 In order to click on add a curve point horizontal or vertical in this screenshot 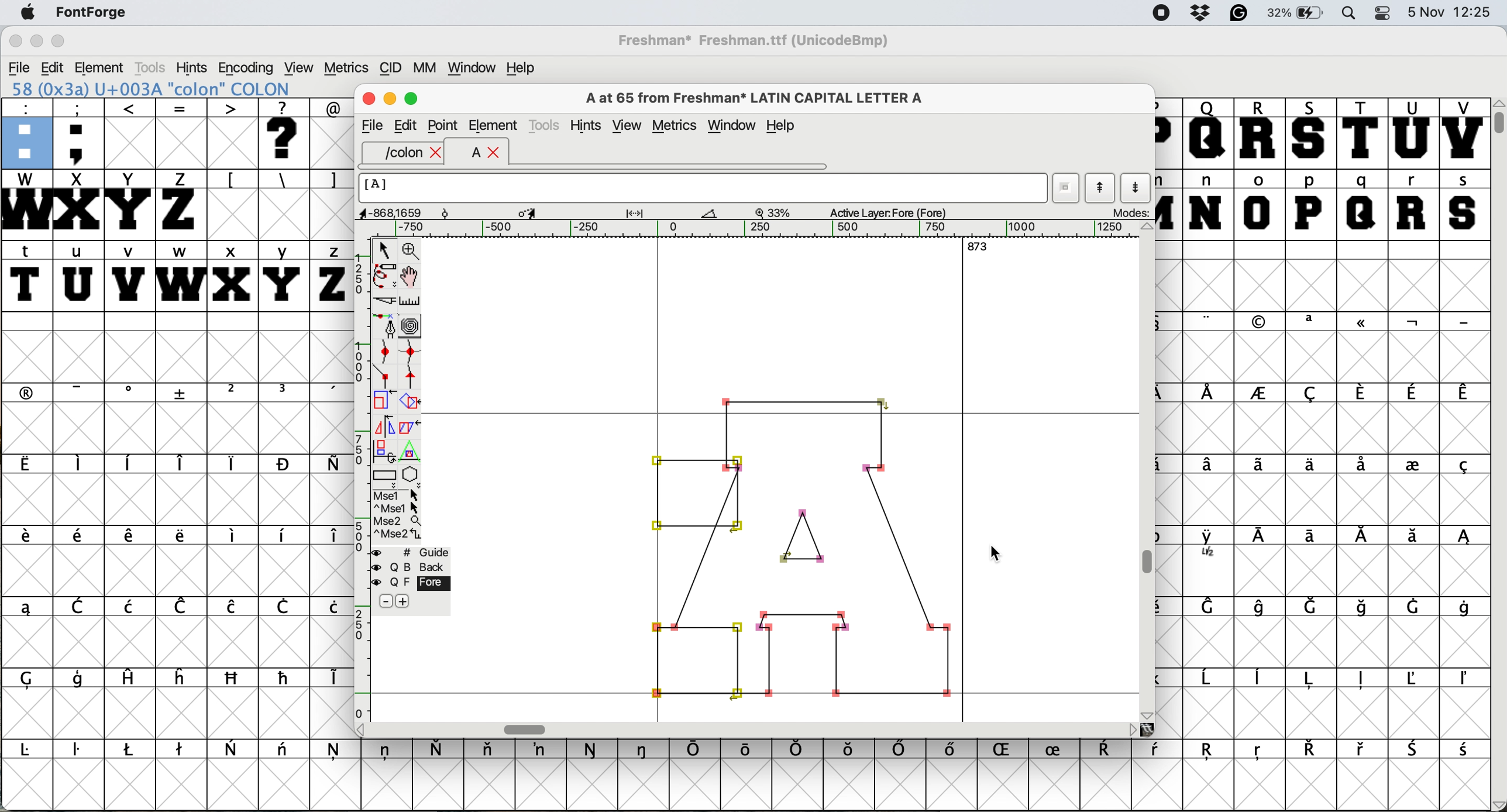, I will do `click(410, 349)`.